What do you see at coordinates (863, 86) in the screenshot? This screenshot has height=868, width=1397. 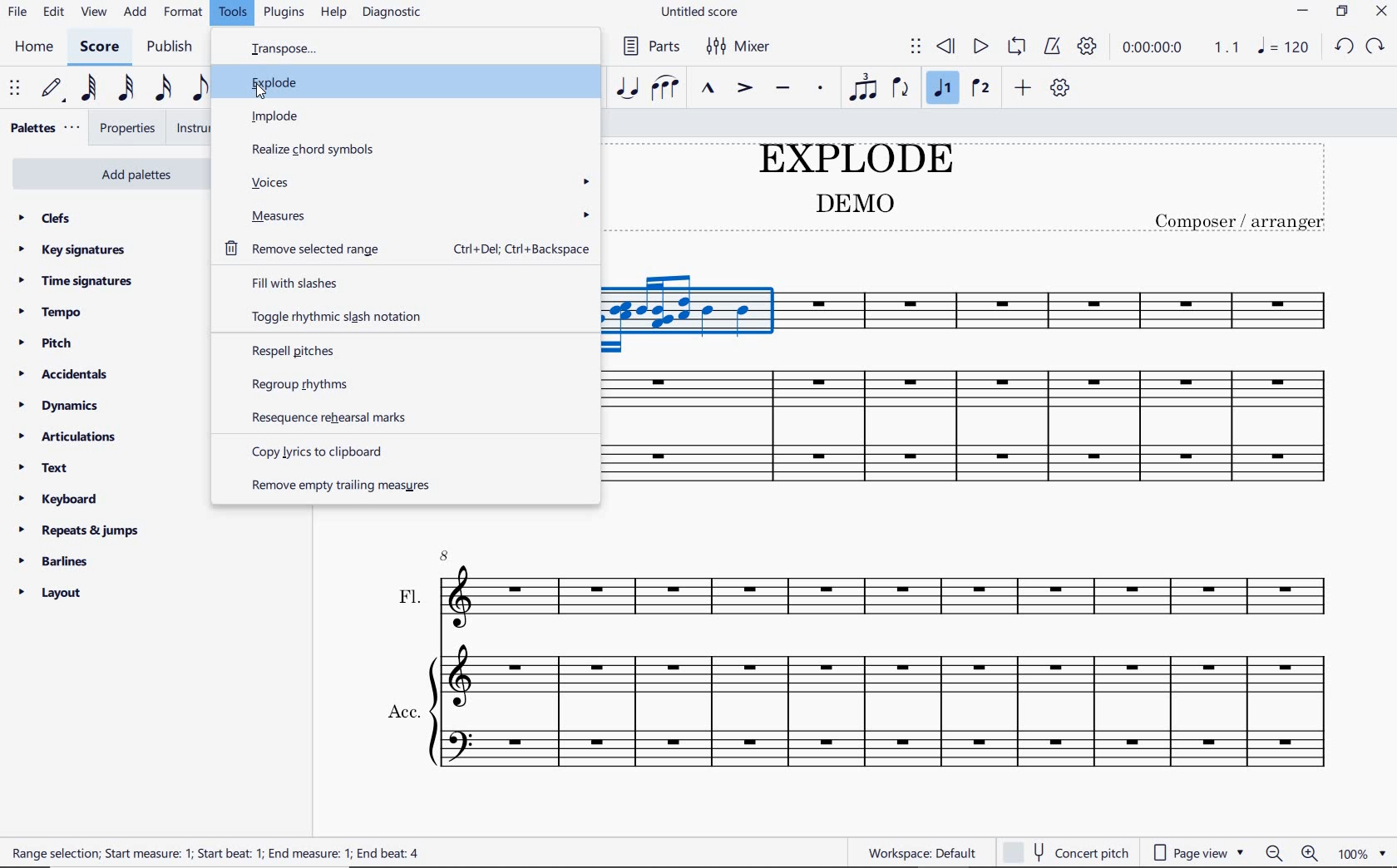 I see `tuplet` at bounding box center [863, 86].